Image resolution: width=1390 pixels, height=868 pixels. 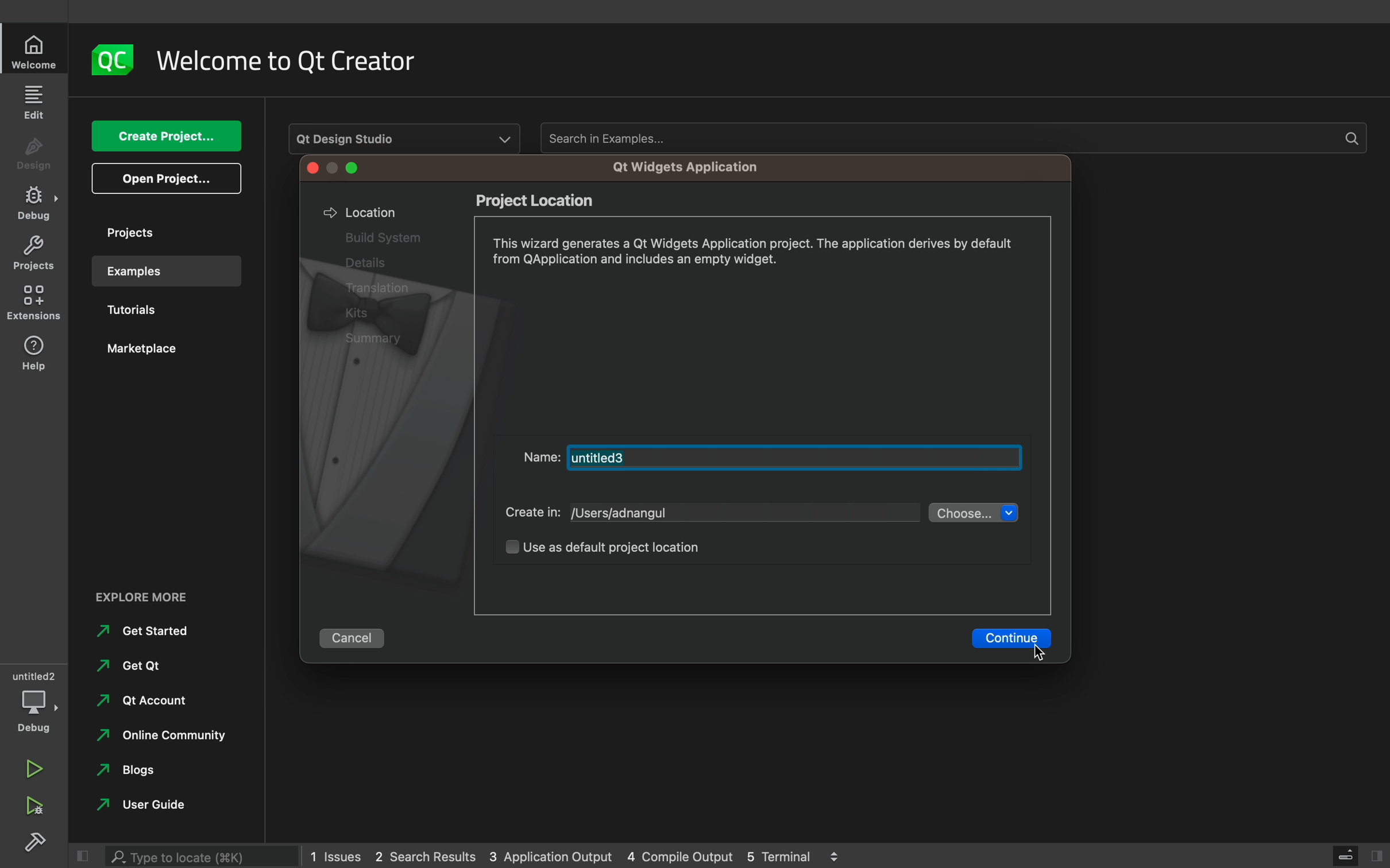 I want to click on , so click(x=370, y=237).